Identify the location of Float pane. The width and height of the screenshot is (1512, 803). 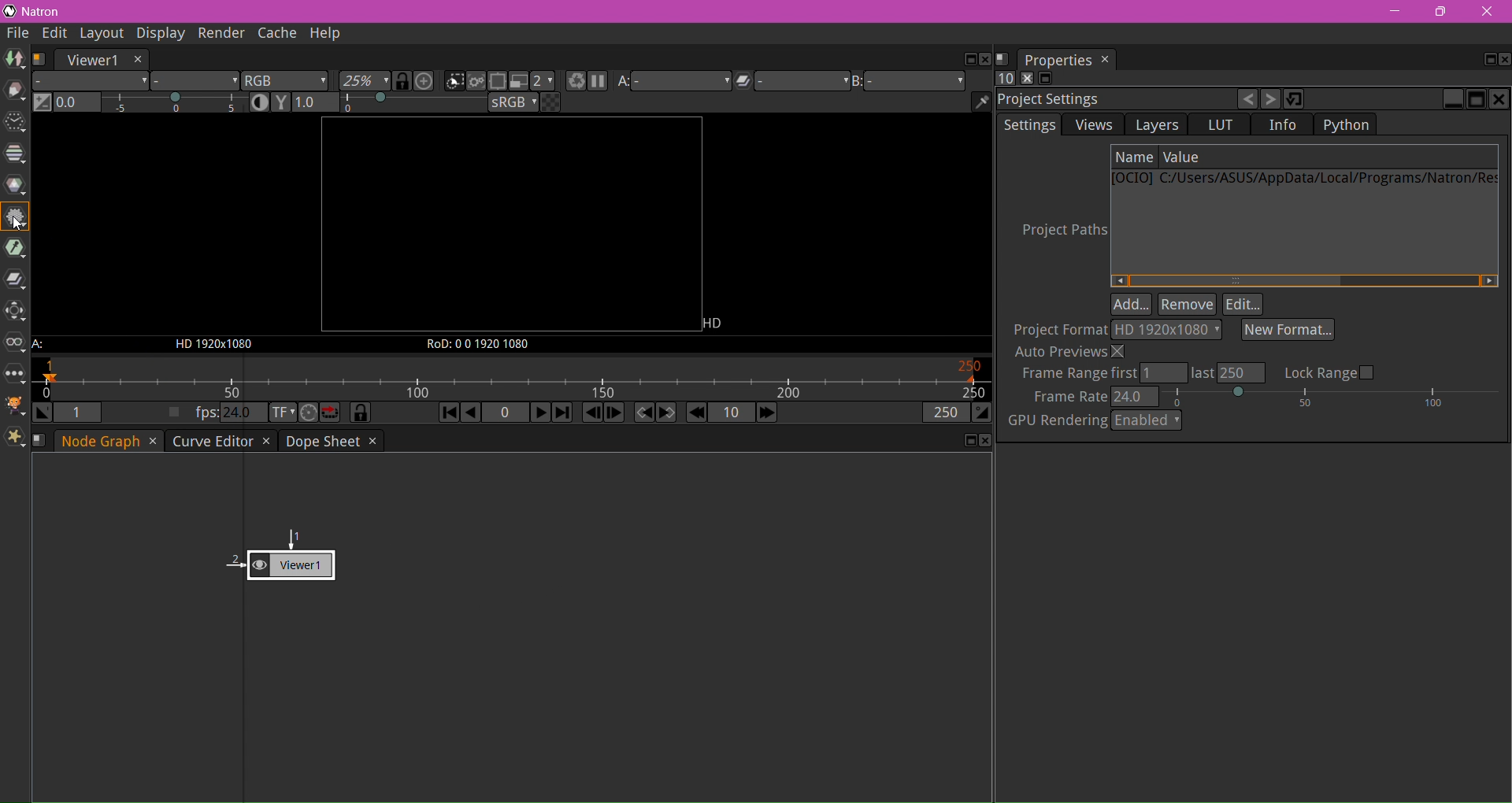
(967, 60).